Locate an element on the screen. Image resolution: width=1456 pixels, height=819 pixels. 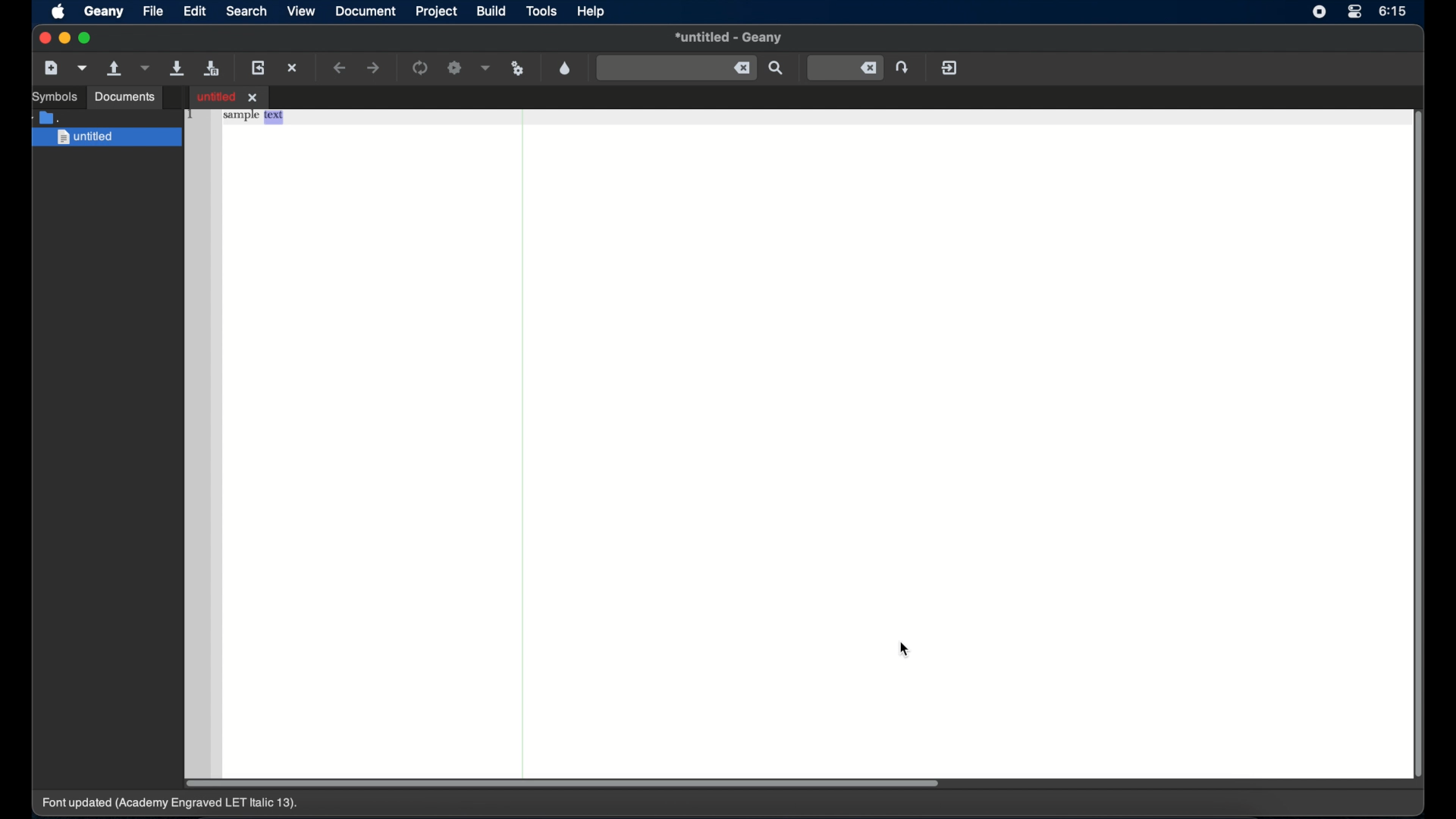
open a color chooser dialogue is located at coordinates (565, 67).